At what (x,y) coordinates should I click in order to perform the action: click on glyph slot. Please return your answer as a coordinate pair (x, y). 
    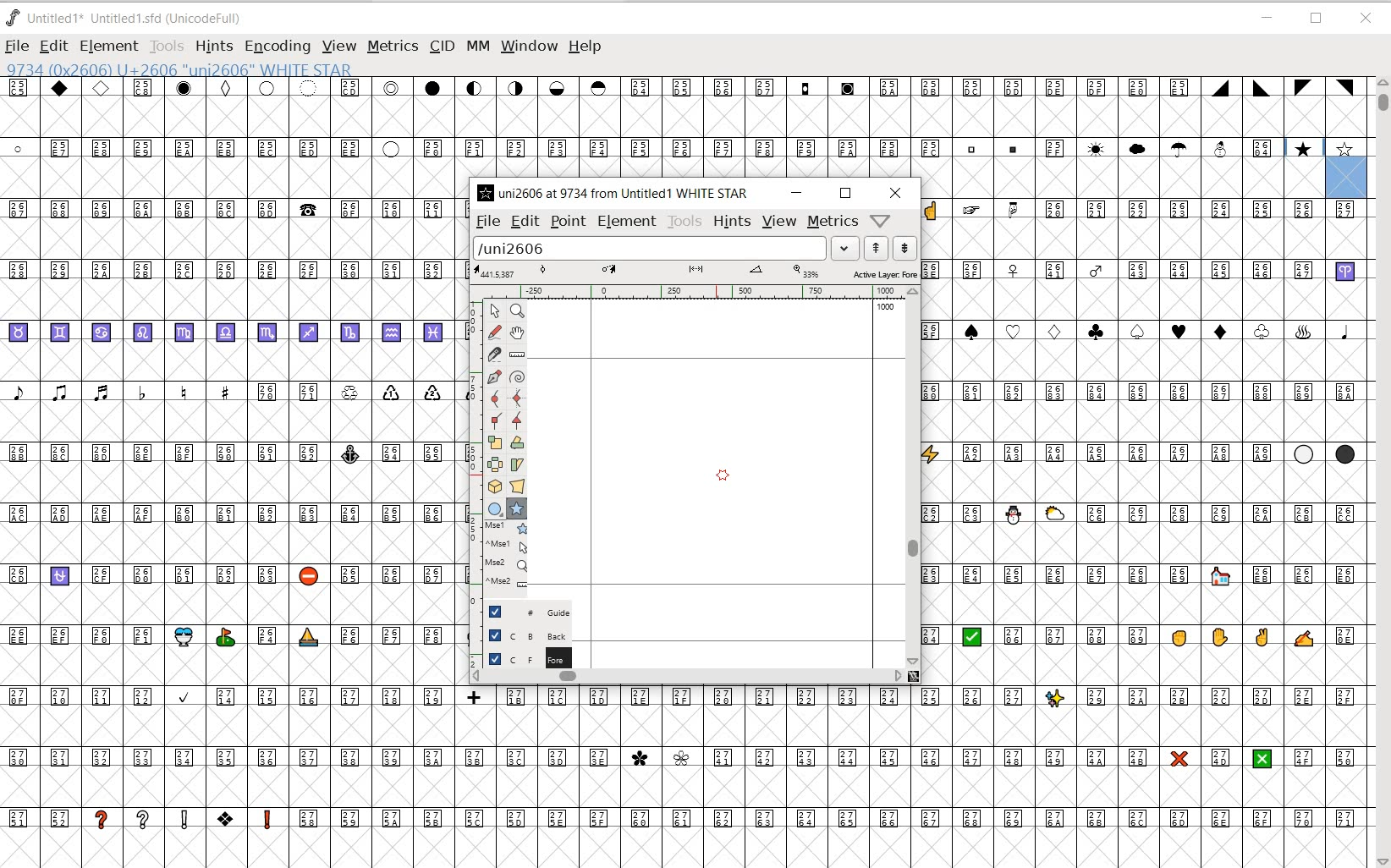
    Looking at the image, I should click on (1348, 170).